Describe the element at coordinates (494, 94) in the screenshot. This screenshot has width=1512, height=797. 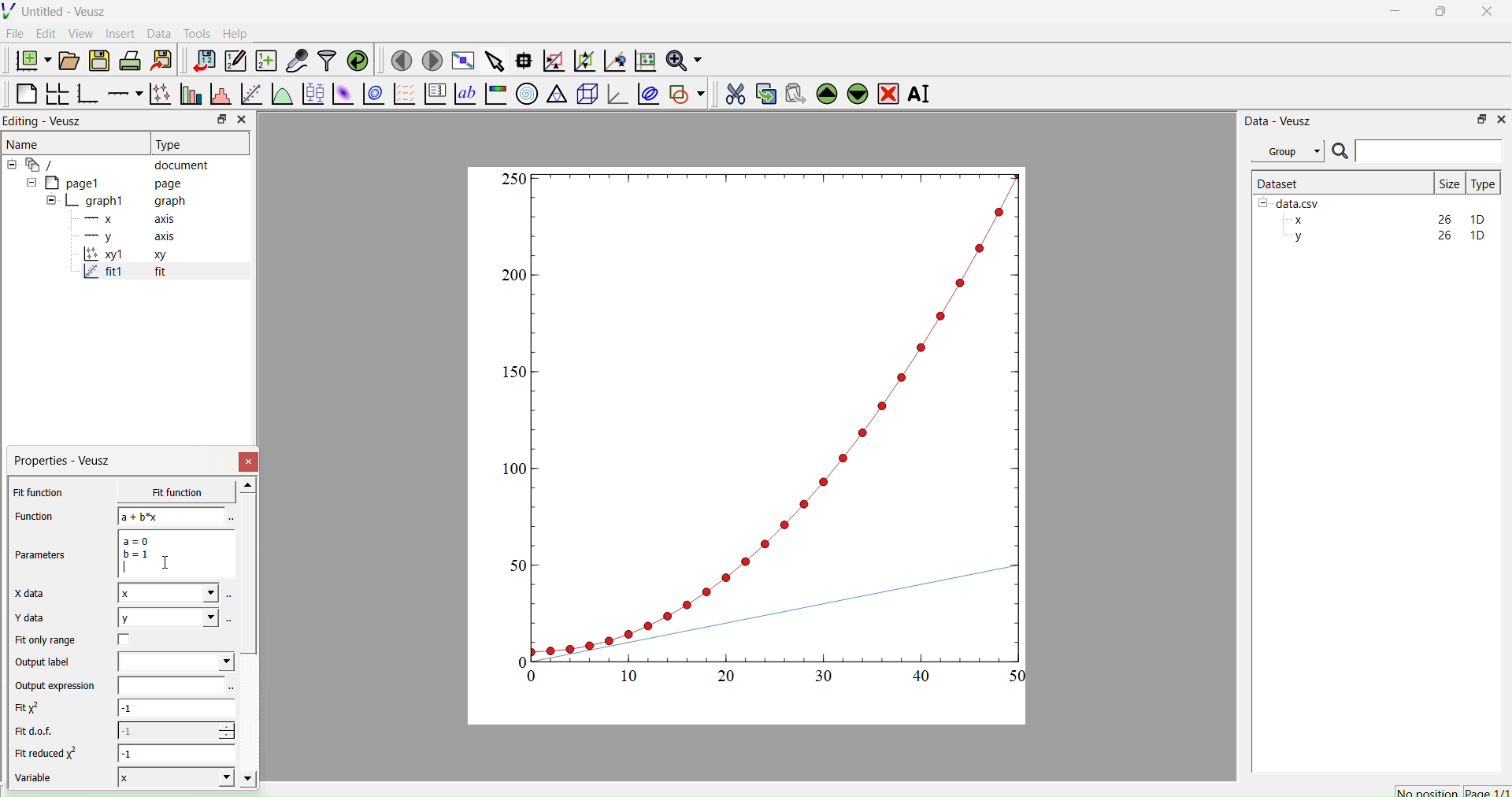
I see `Image color bar` at that location.